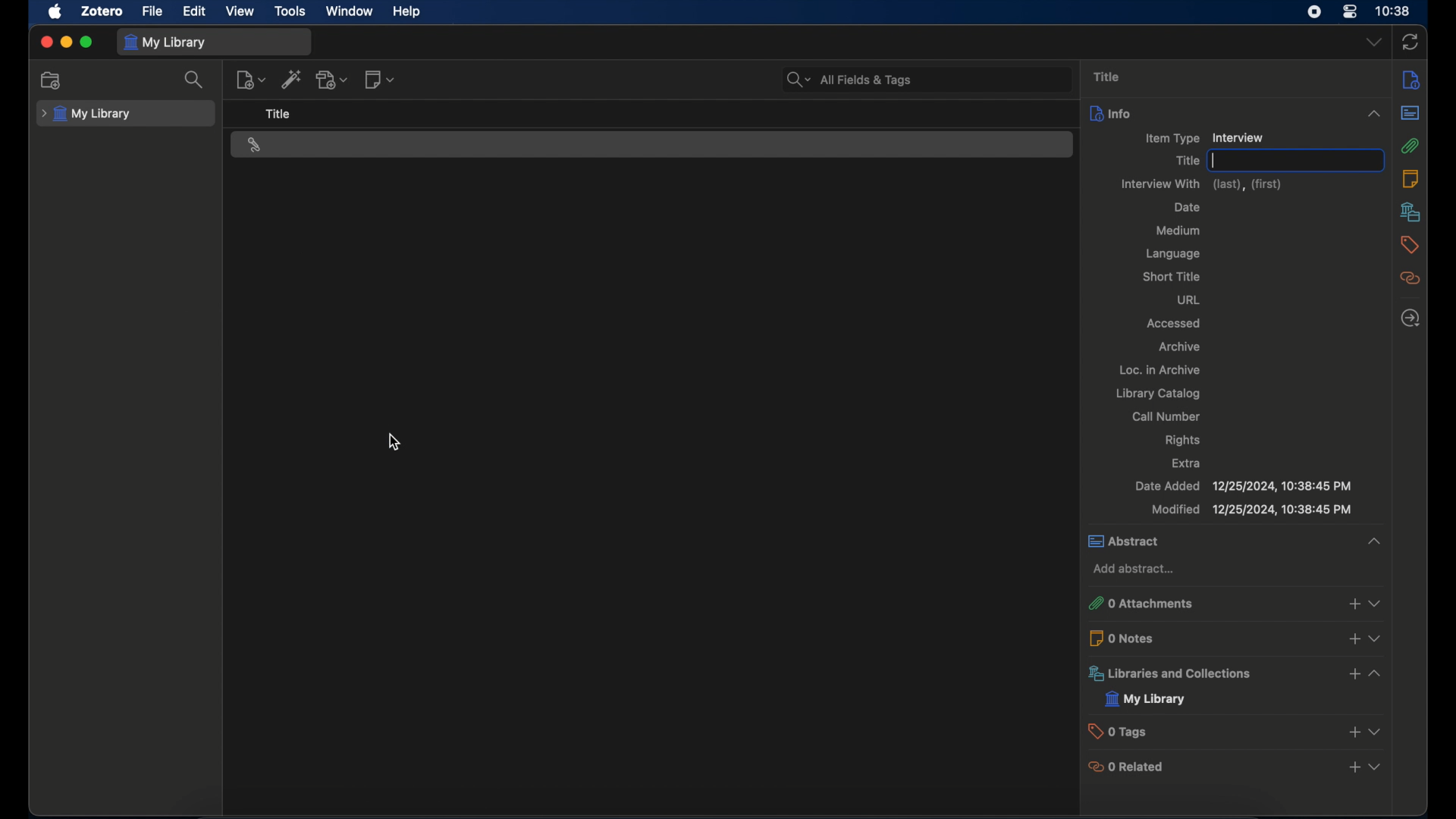  Describe the element at coordinates (1411, 80) in the screenshot. I see `info` at that location.